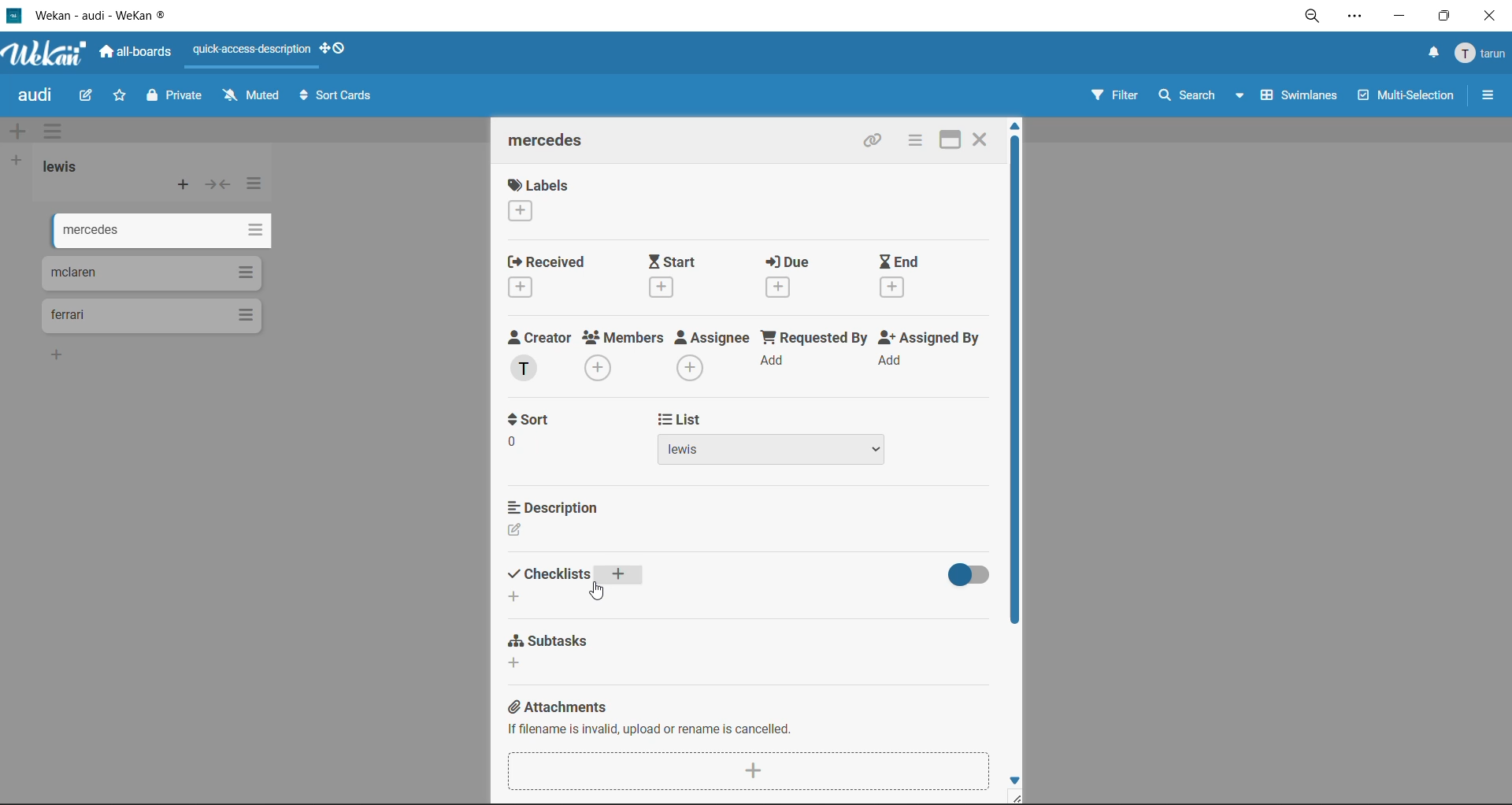  Describe the element at coordinates (933, 354) in the screenshot. I see `assigned by` at that location.